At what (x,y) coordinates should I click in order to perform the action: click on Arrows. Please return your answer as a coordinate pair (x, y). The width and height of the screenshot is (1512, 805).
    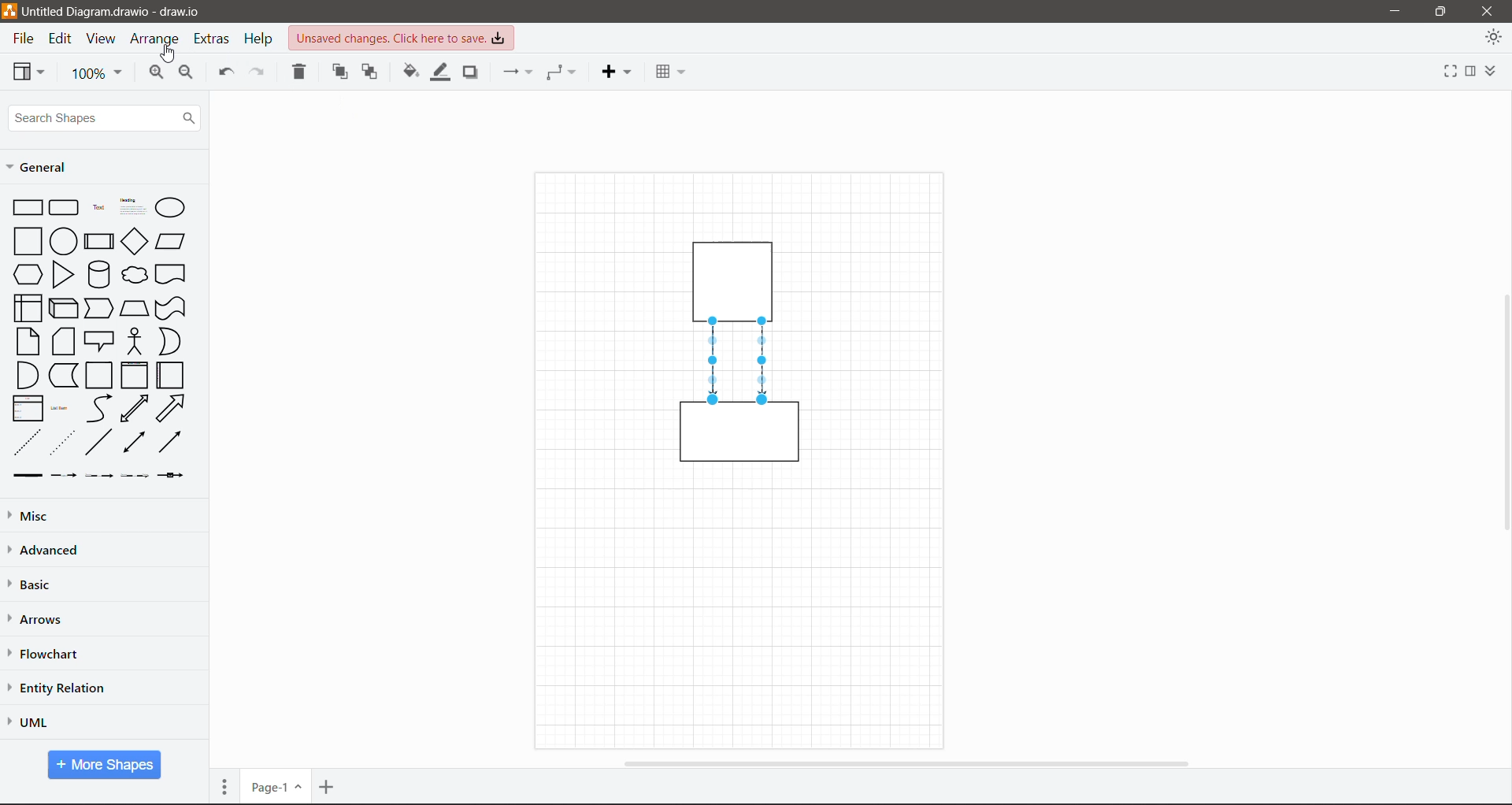
    Looking at the image, I should click on (39, 620).